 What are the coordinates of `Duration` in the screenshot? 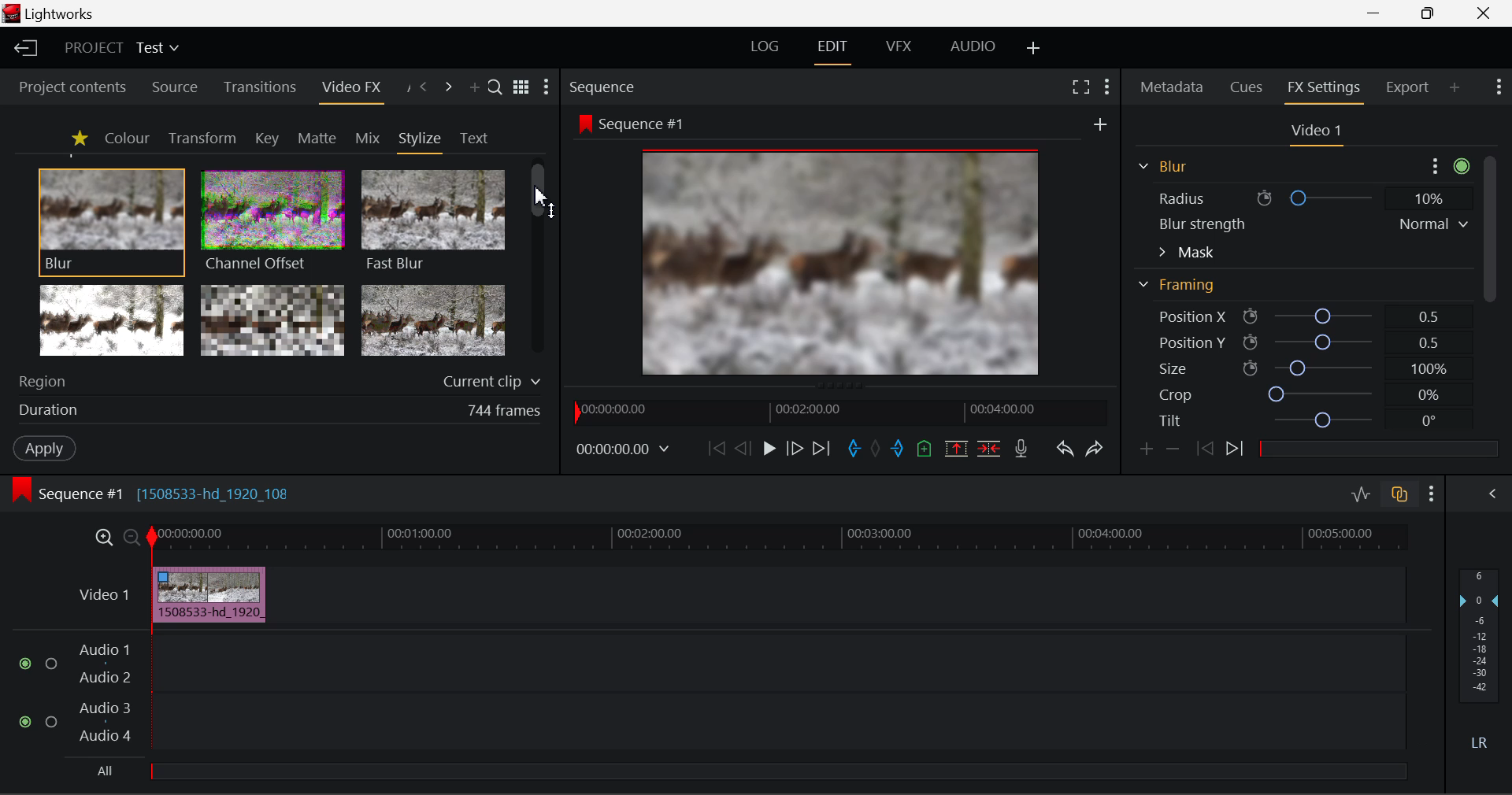 It's located at (276, 412).